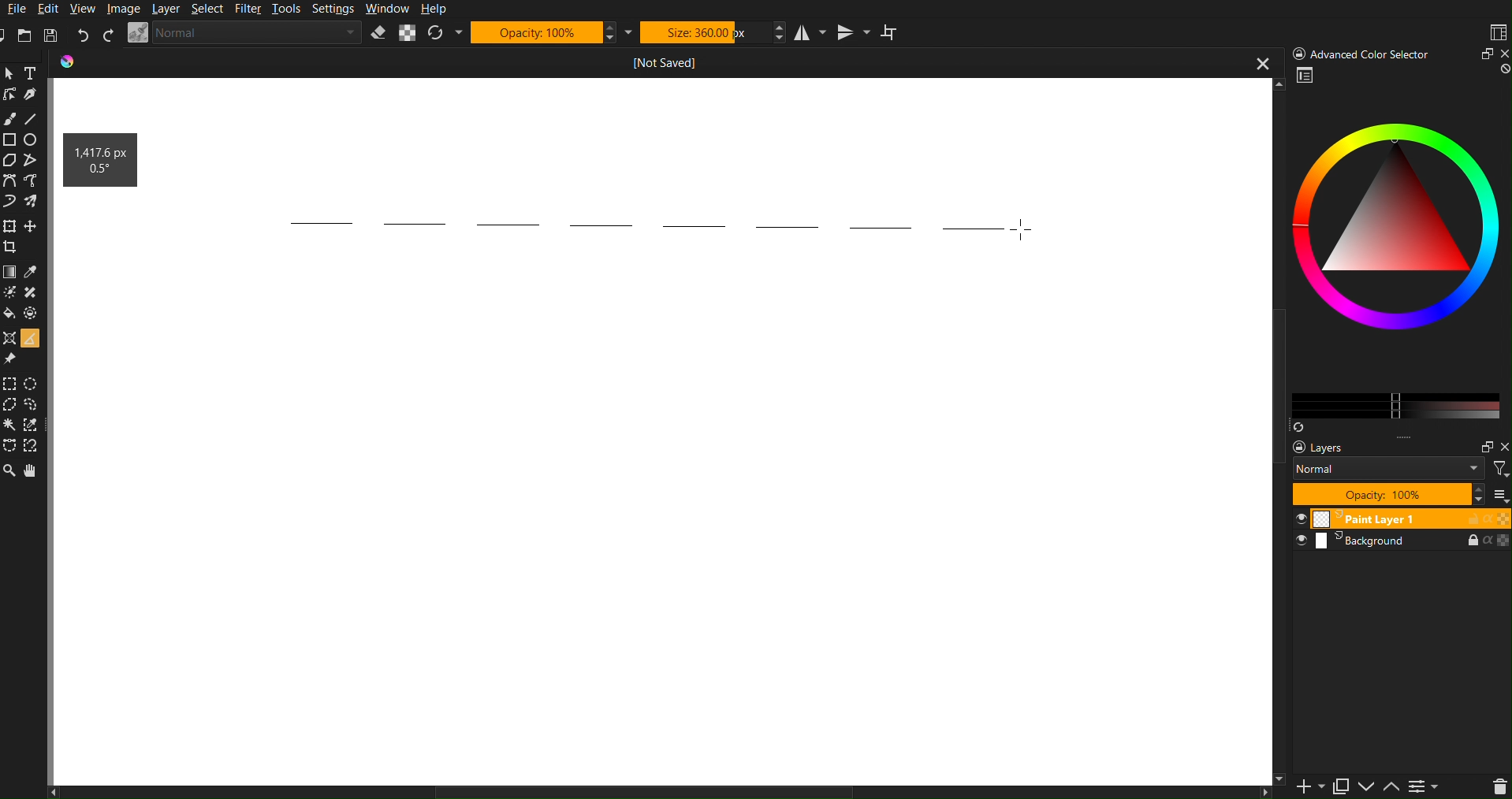 Image resolution: width=1512 pixels, height=799 pixels. Describe the element at coordinates (167, 9) in the screenshot. I see `Layer` at that location.